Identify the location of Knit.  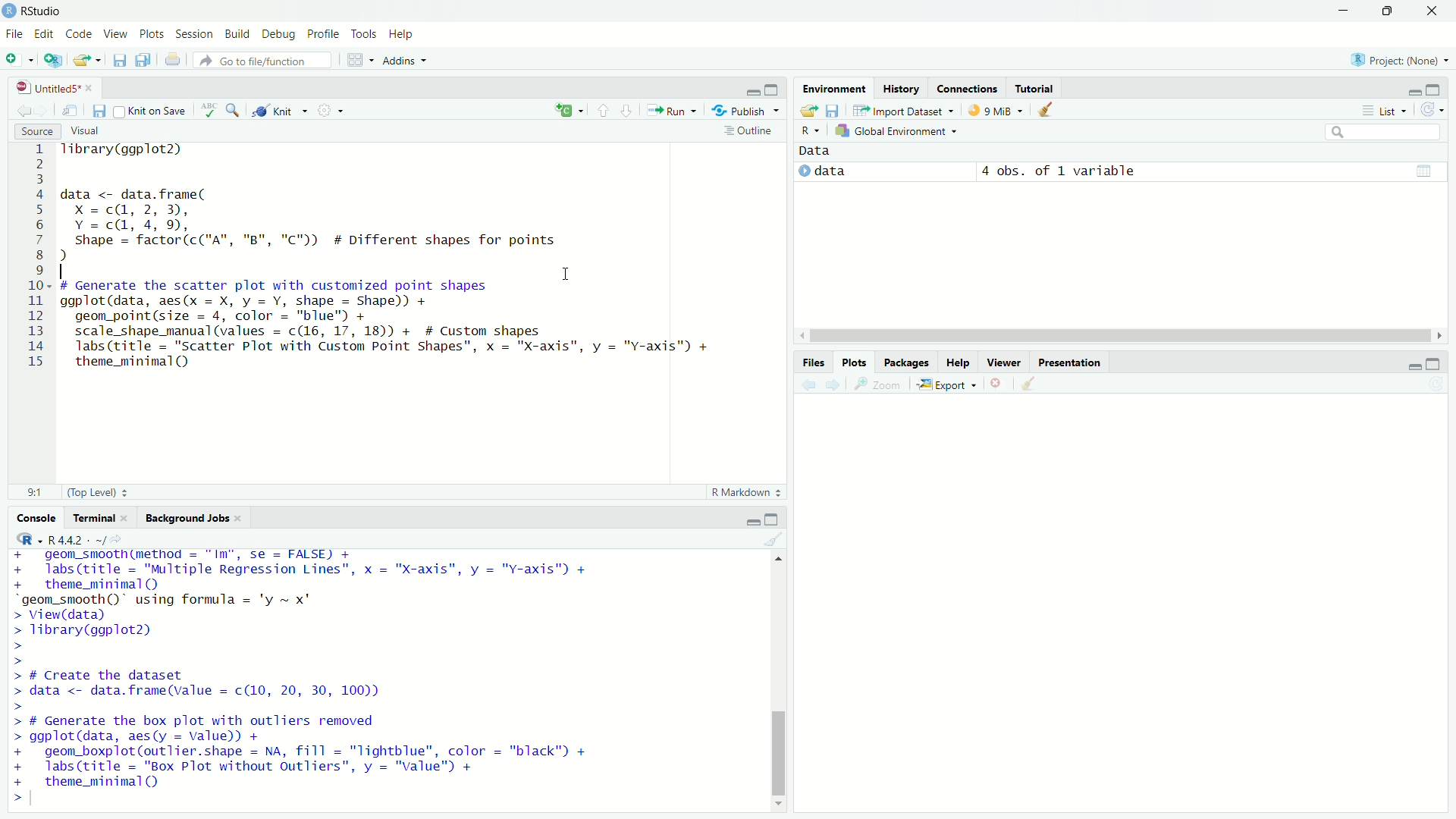
(279, 110).